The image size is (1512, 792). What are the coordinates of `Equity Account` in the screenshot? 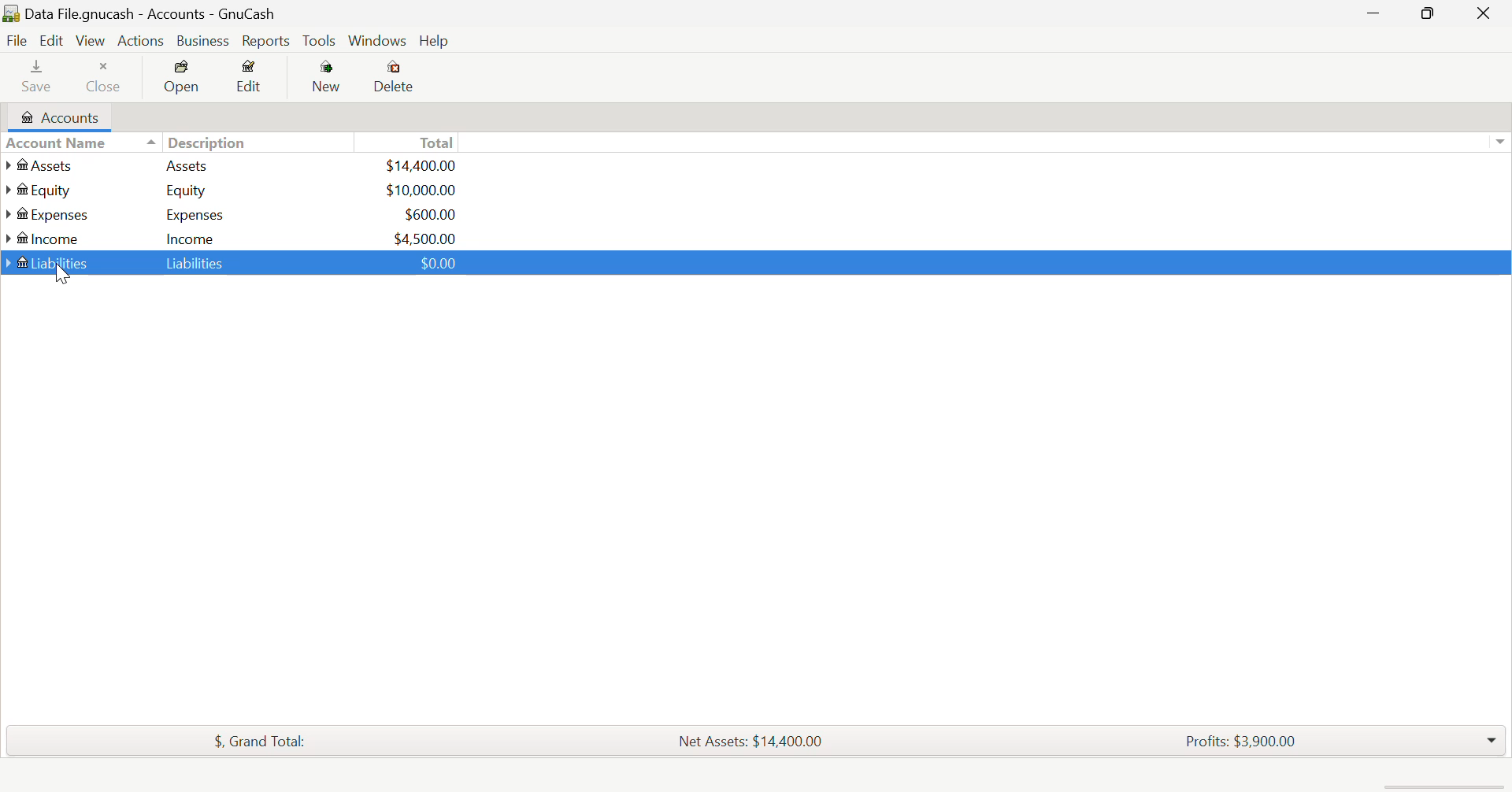 It's located at (43, 187).